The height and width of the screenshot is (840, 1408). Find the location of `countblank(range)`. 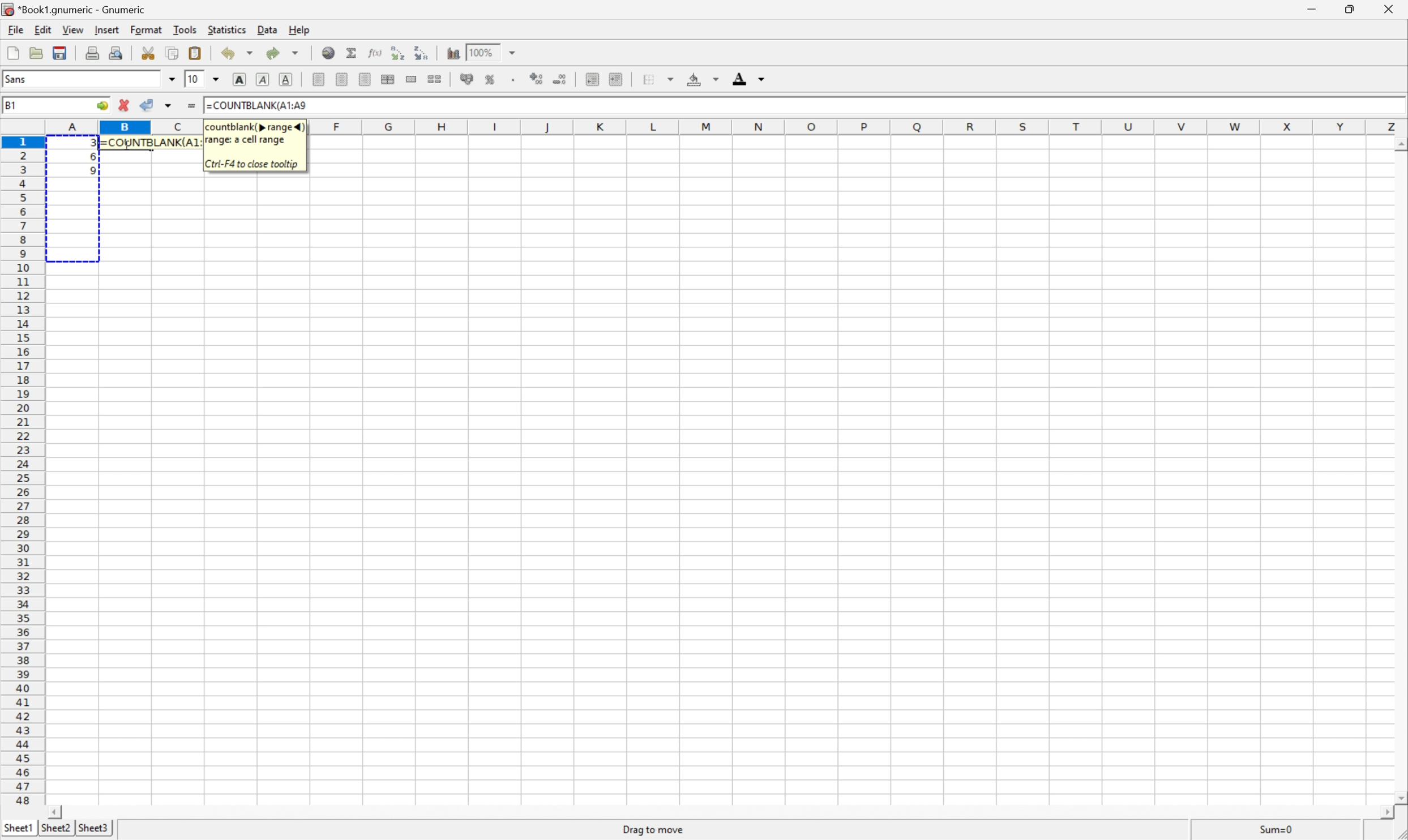

countblank(range) is located at coordinates (255, 126).